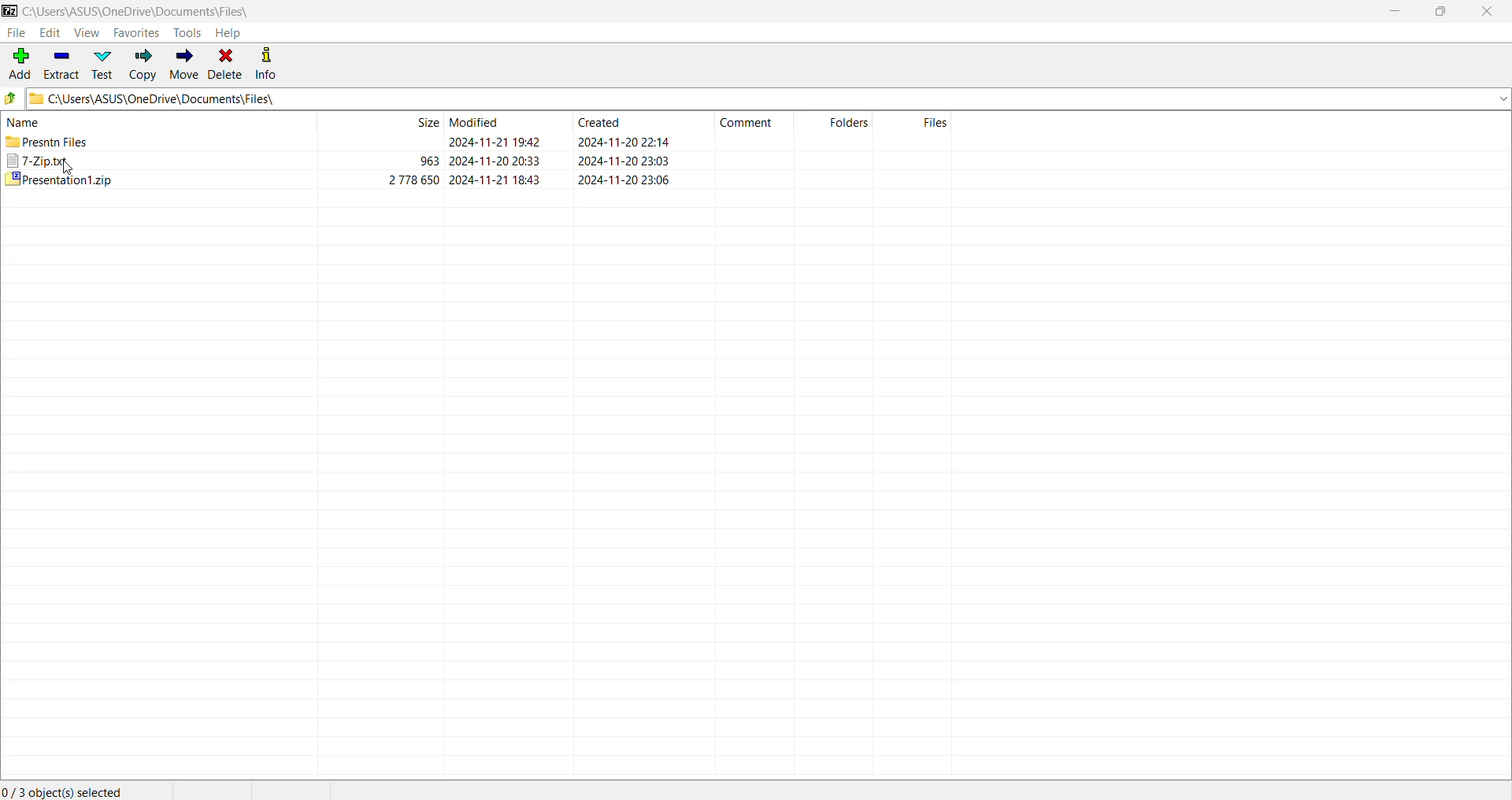 This screenshot has height=800, width=1512. I want to click on created date & time, so click(625, 141).